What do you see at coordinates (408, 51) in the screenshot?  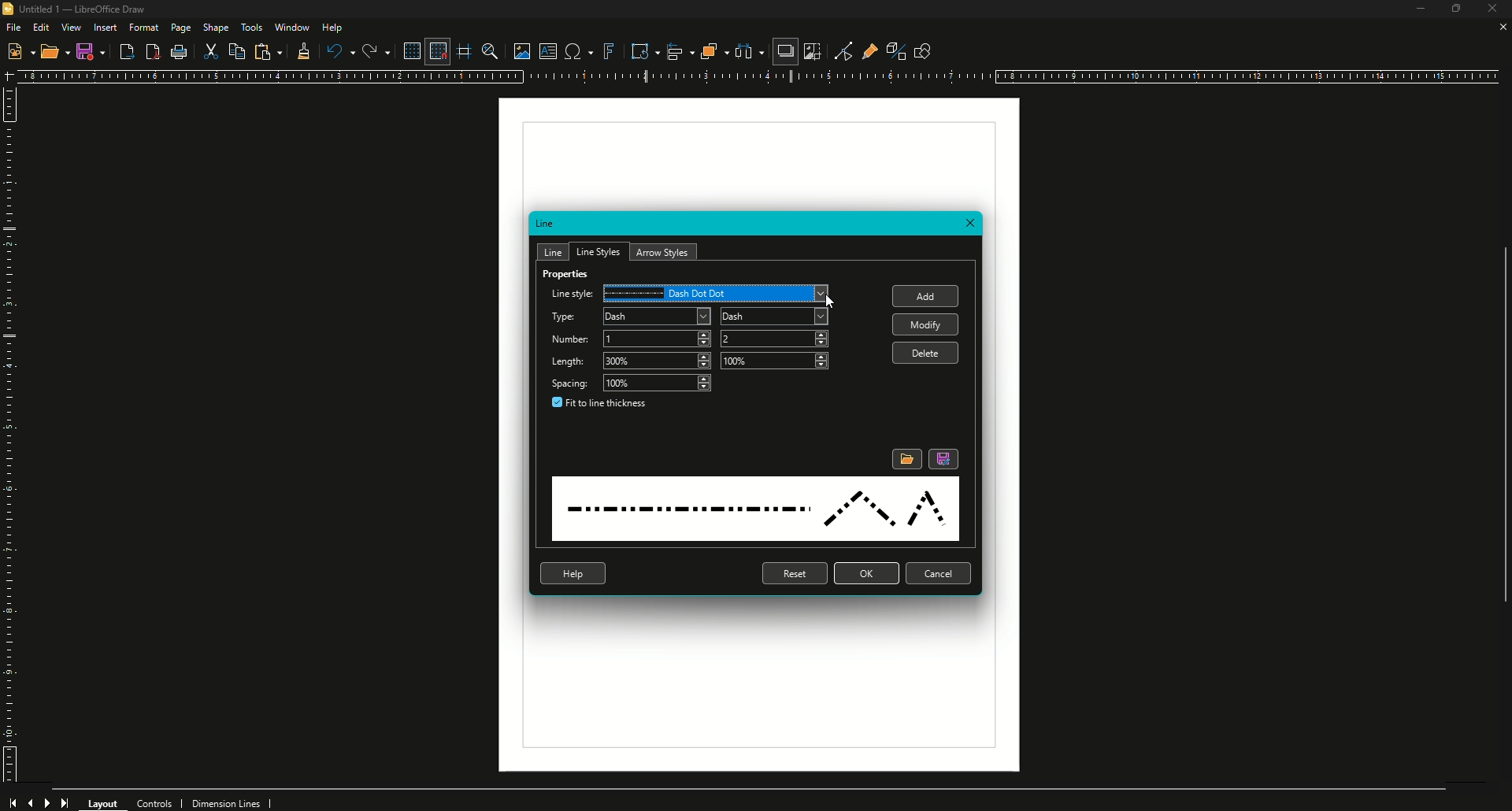 I see `Display Grid` at bounding box center [408, 51].